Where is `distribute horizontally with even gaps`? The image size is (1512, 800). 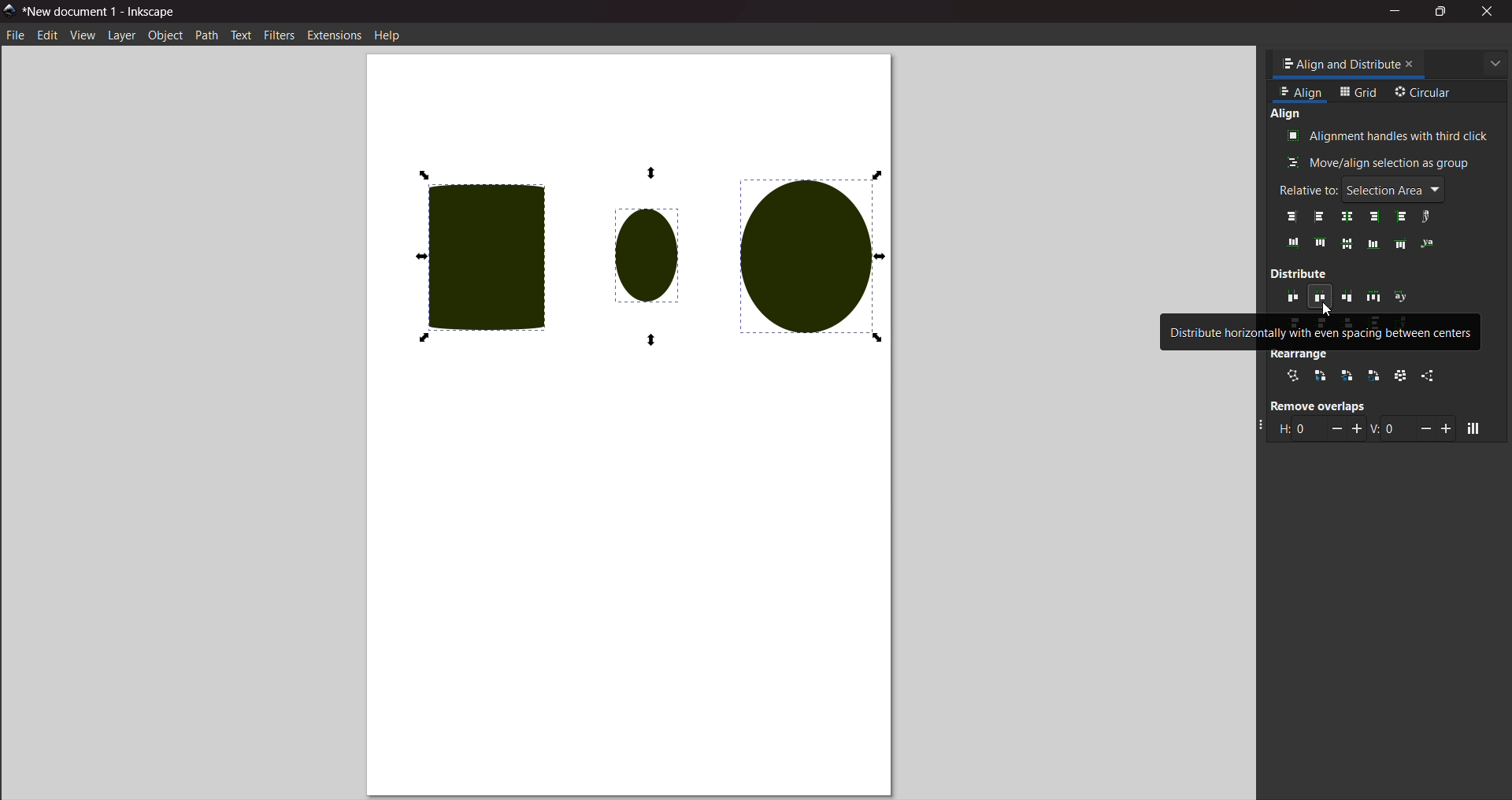
distribute horizontally with even gaps is located at coordinates (1375, 298).